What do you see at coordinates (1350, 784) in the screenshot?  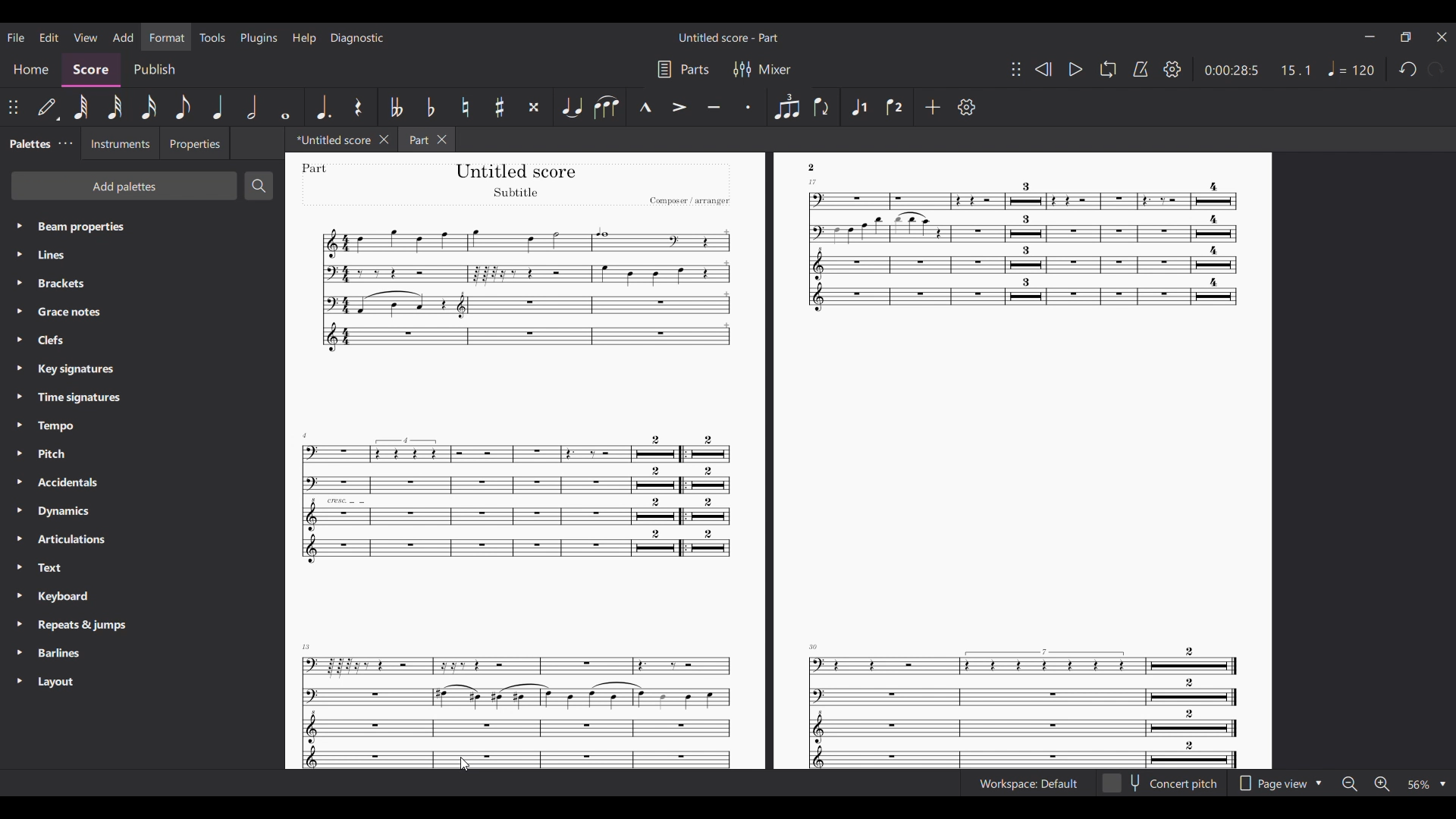 I see `Zoom out` at bounding box center [1350, 784].